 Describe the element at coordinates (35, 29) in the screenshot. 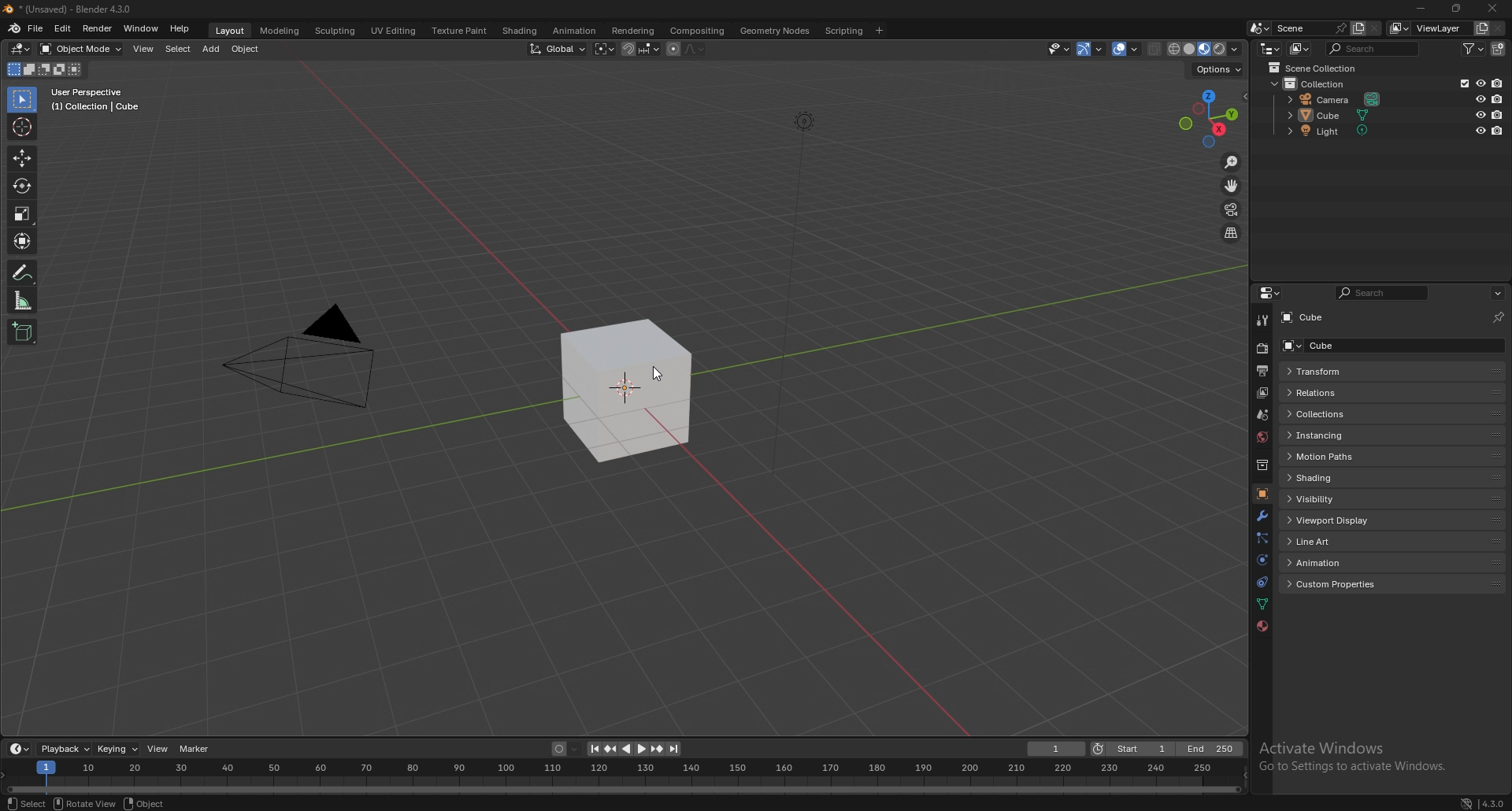

I see `file` at that location.